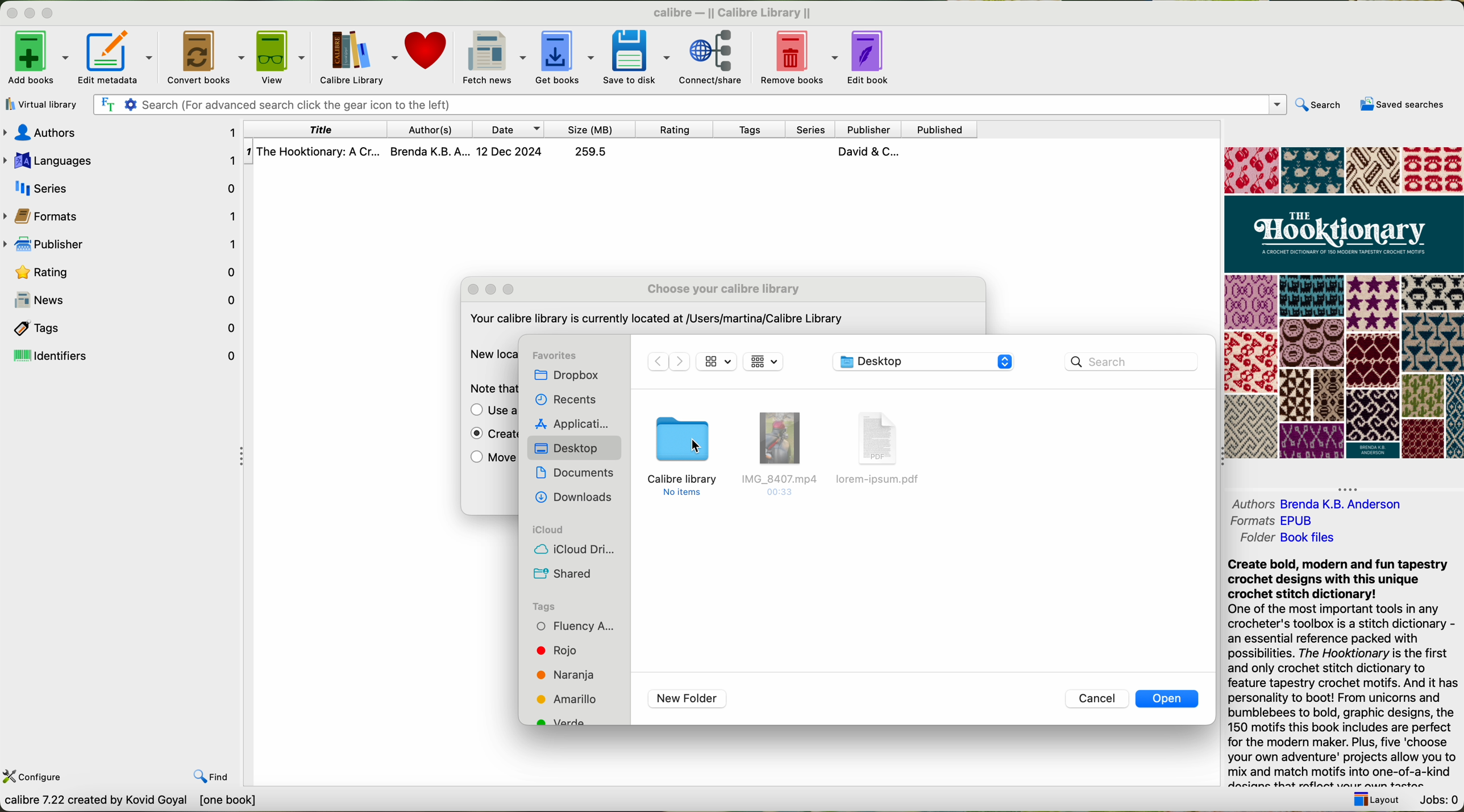 The image size is (1464, 812). Describe the element at coordinates (494, 410) in the screenshot. I see `use a previously existing library` at that location.